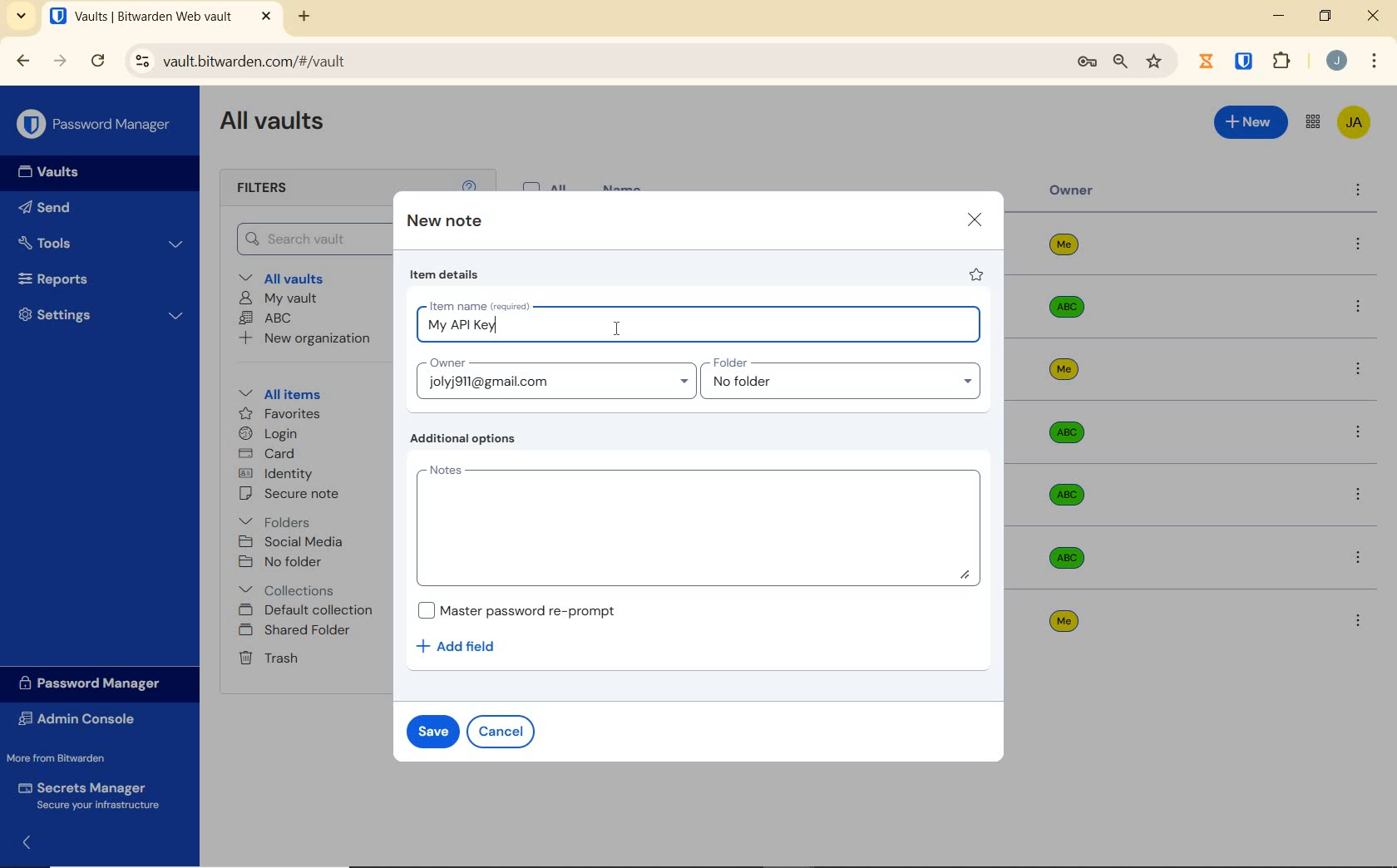  I want to click on shared folder, so click(297, 631).